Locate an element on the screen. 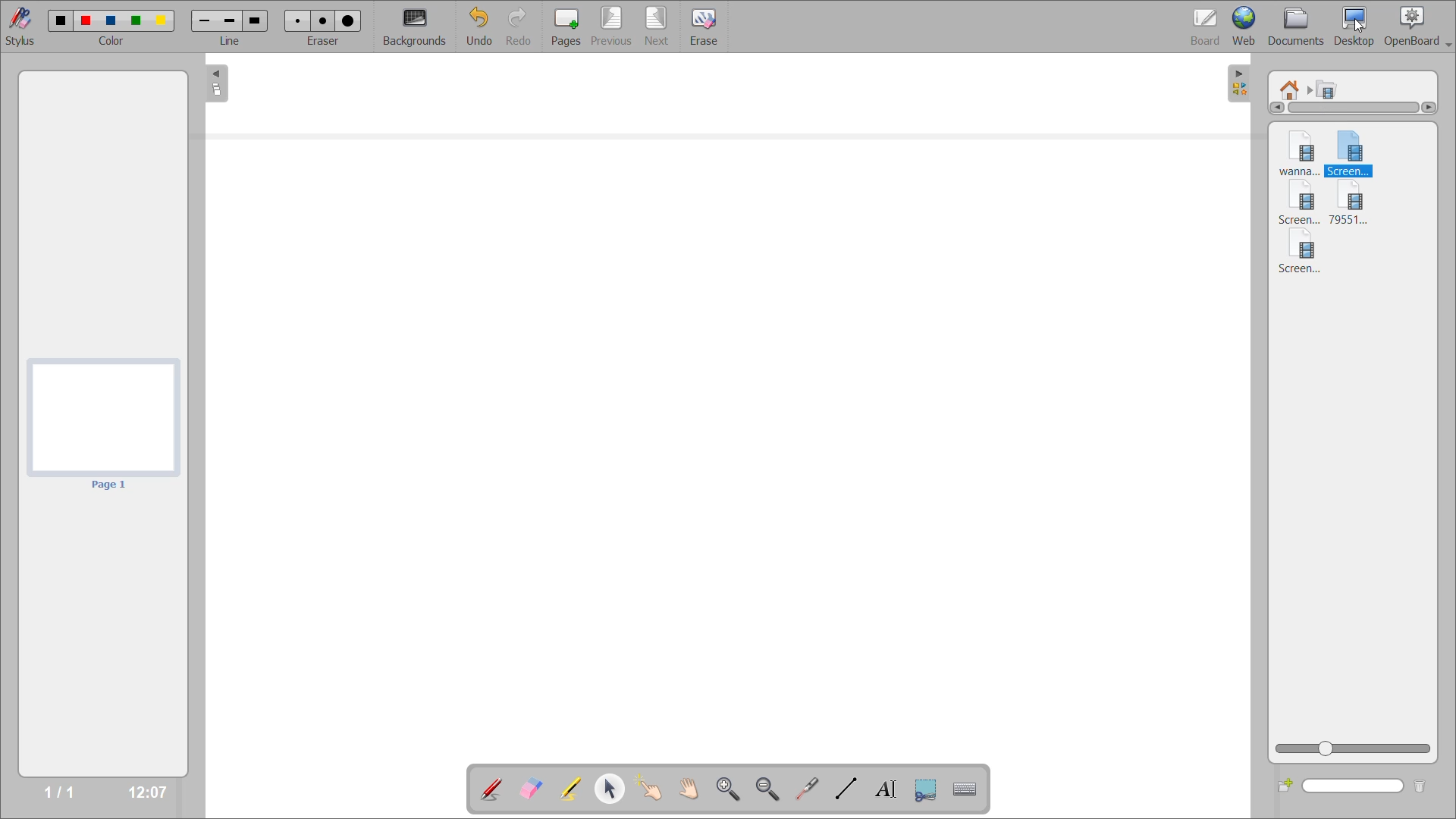 This screenshot has height=819, width=1456. openboard is located at coordinates (1420, 24).